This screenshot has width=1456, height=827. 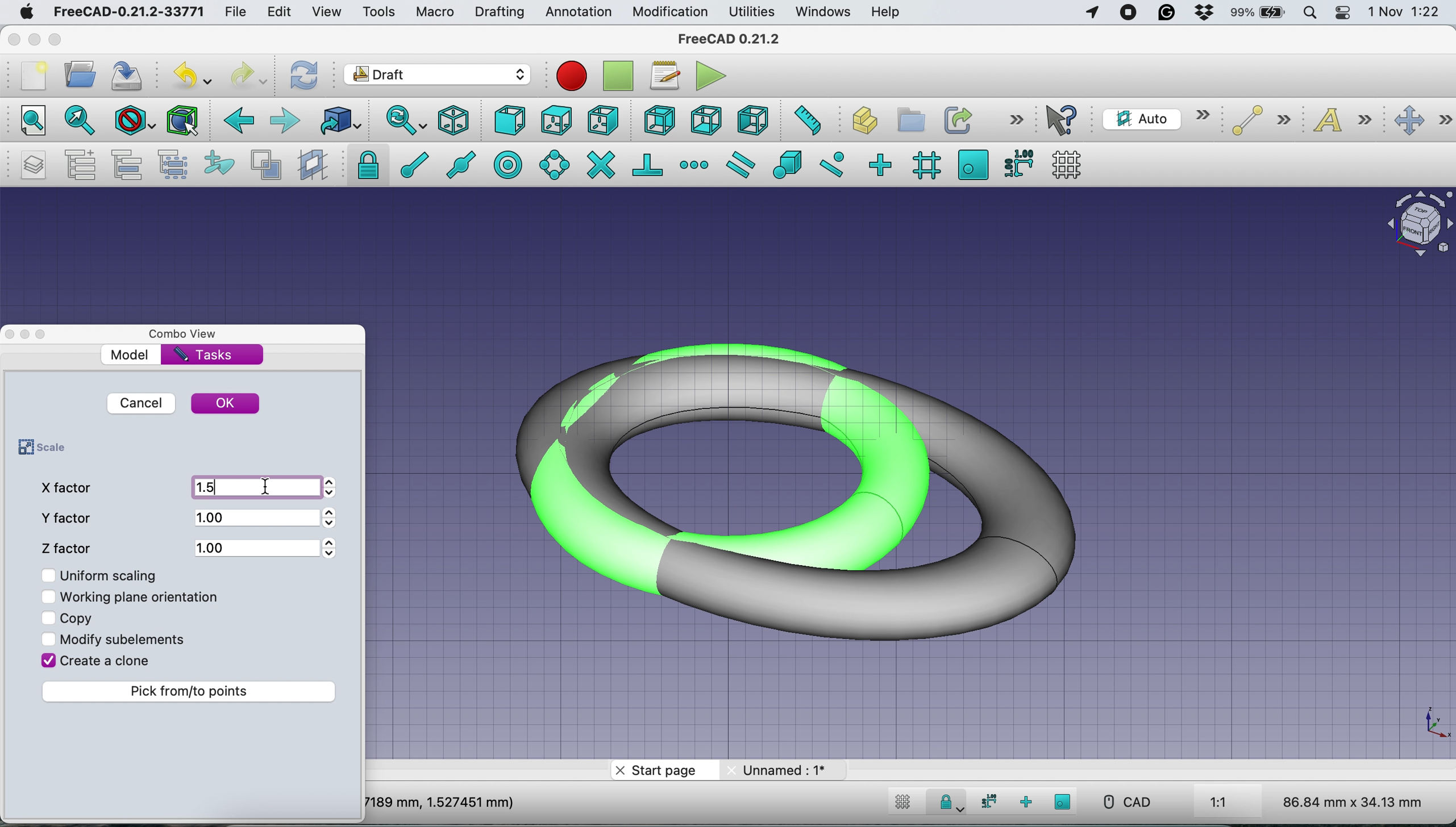 I want to click on measure distance, so click(x=806, y=122).